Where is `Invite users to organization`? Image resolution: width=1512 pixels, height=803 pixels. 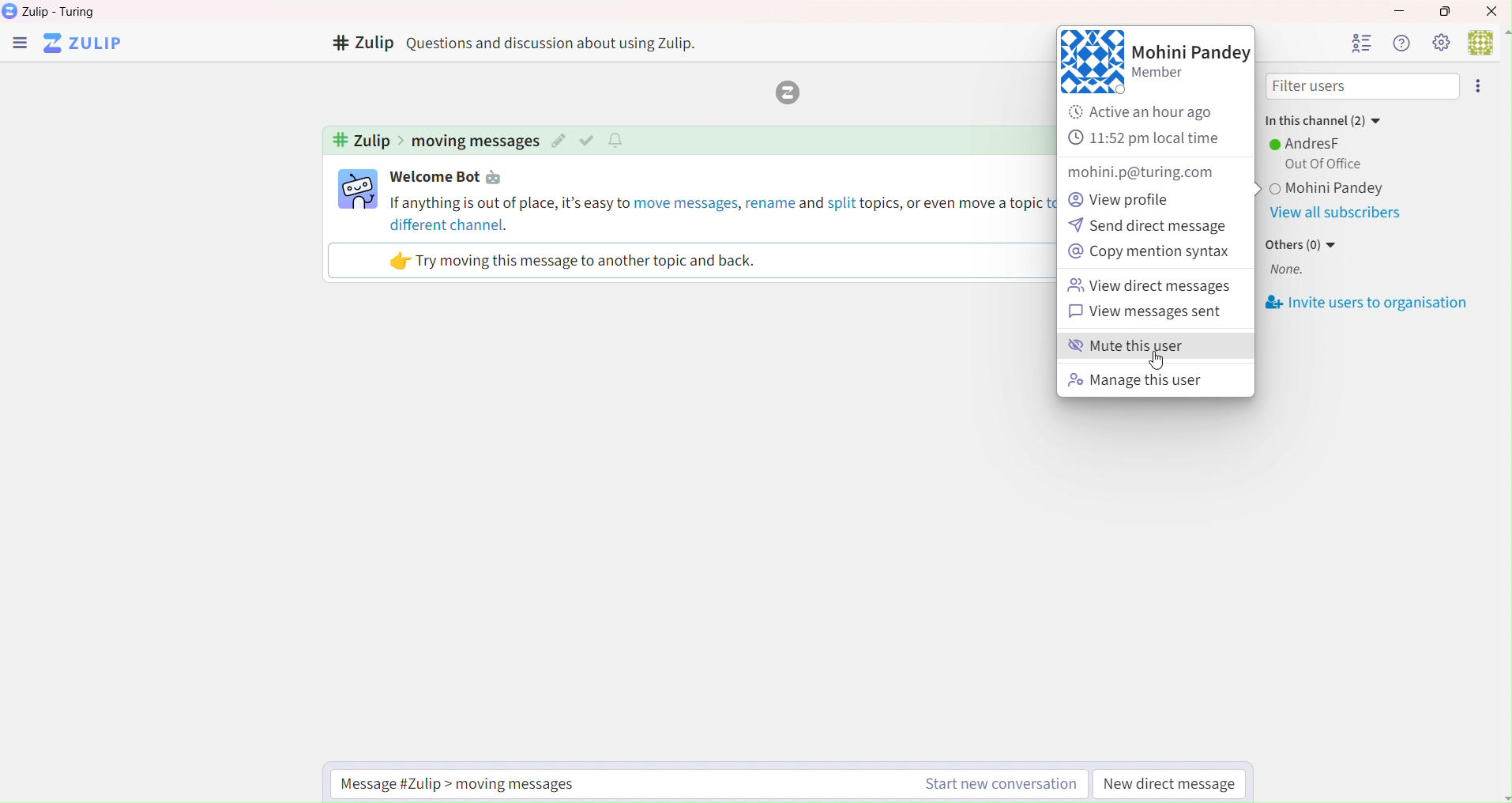 Invite users to organization is located at coordinates (1368, 303).